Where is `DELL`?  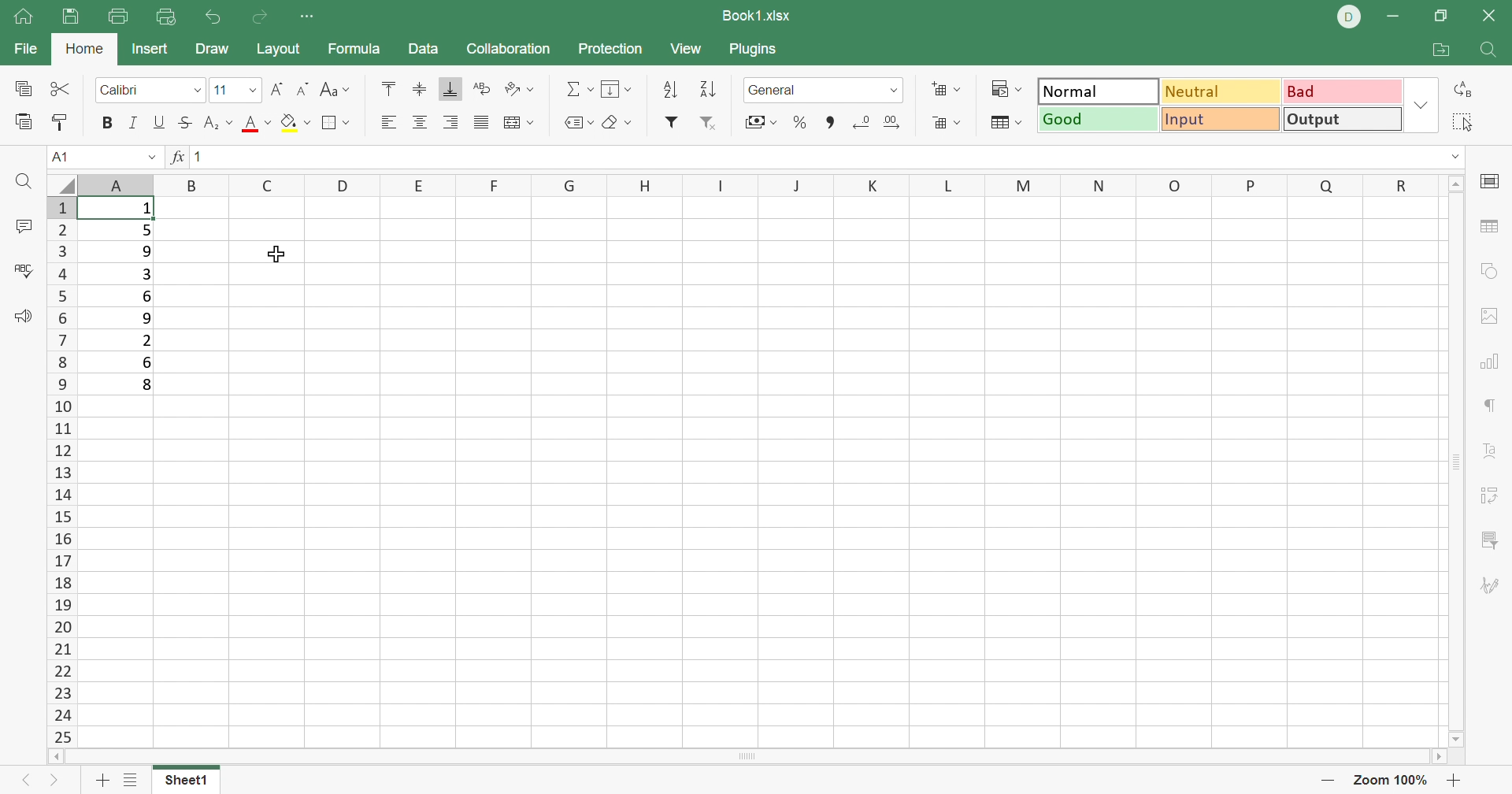 DELL is located at coordinates (1350, 17).